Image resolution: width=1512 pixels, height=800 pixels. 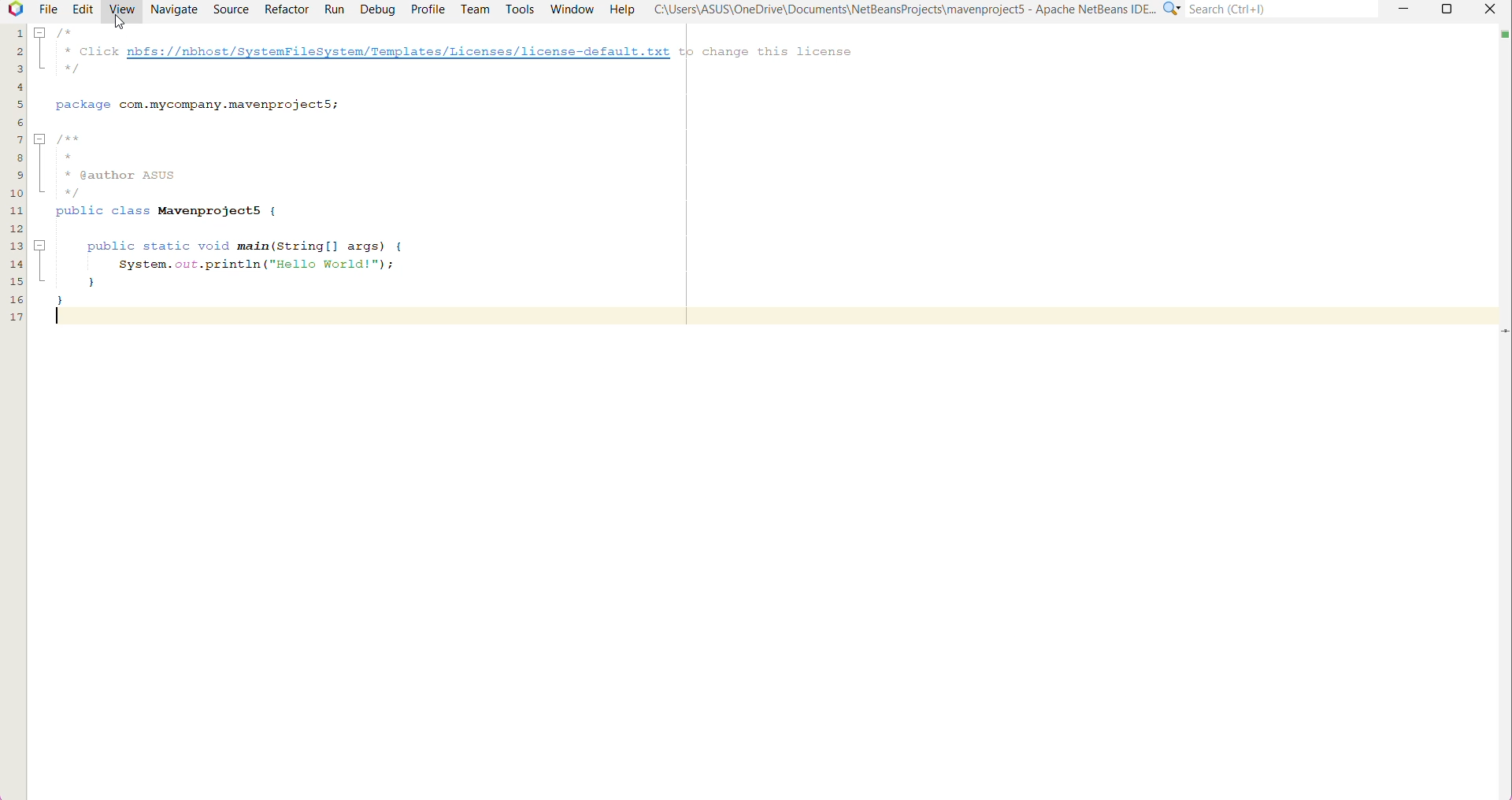 What do you see at coordinates (47, 9) in the screenshot?
I see `File` at bounding box center [47, 9].